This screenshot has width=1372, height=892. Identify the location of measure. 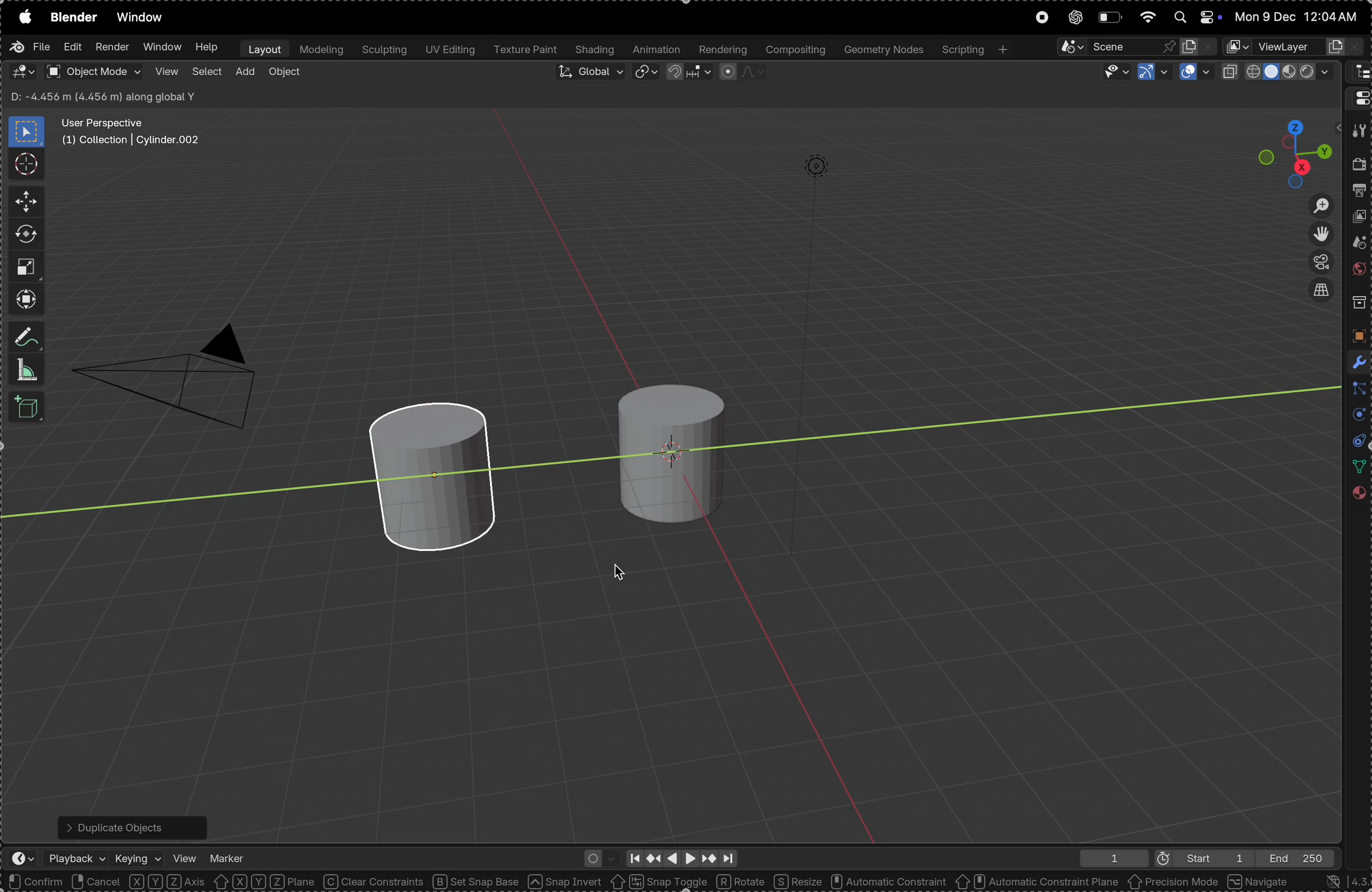
(27, 370).